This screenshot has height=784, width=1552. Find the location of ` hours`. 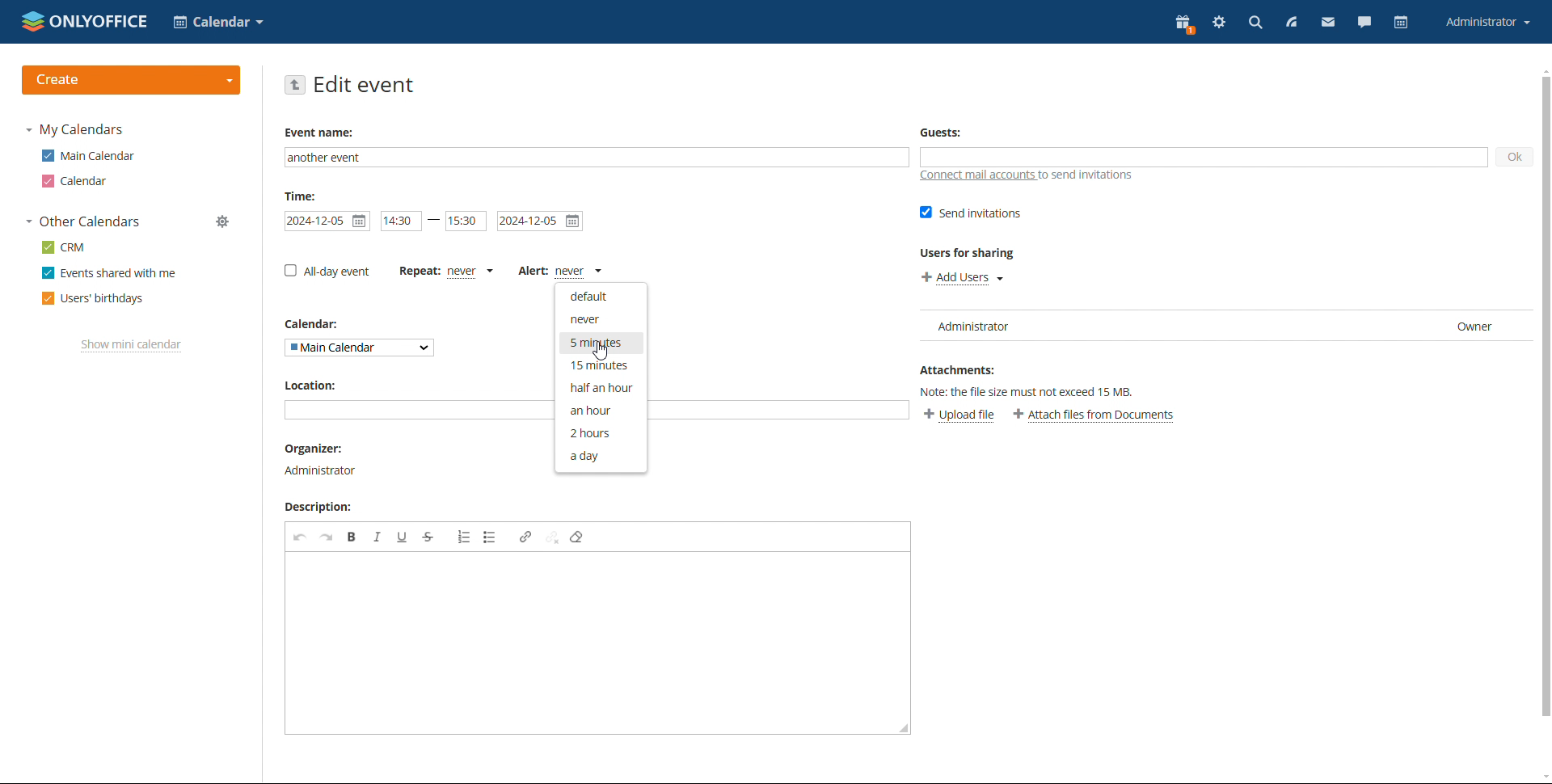

 hours is located at coordinates (599, 432).